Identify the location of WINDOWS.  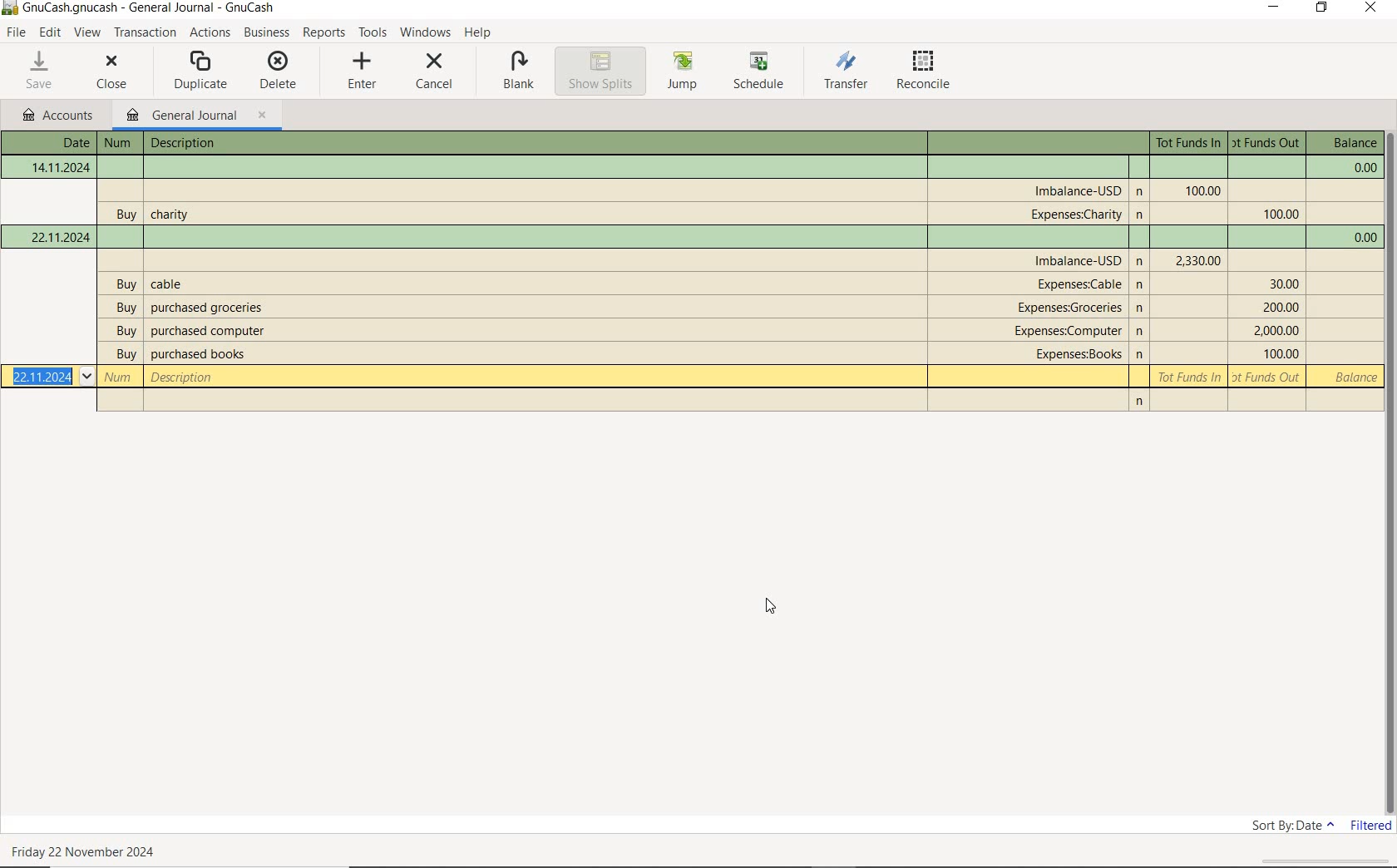
(426, 32).